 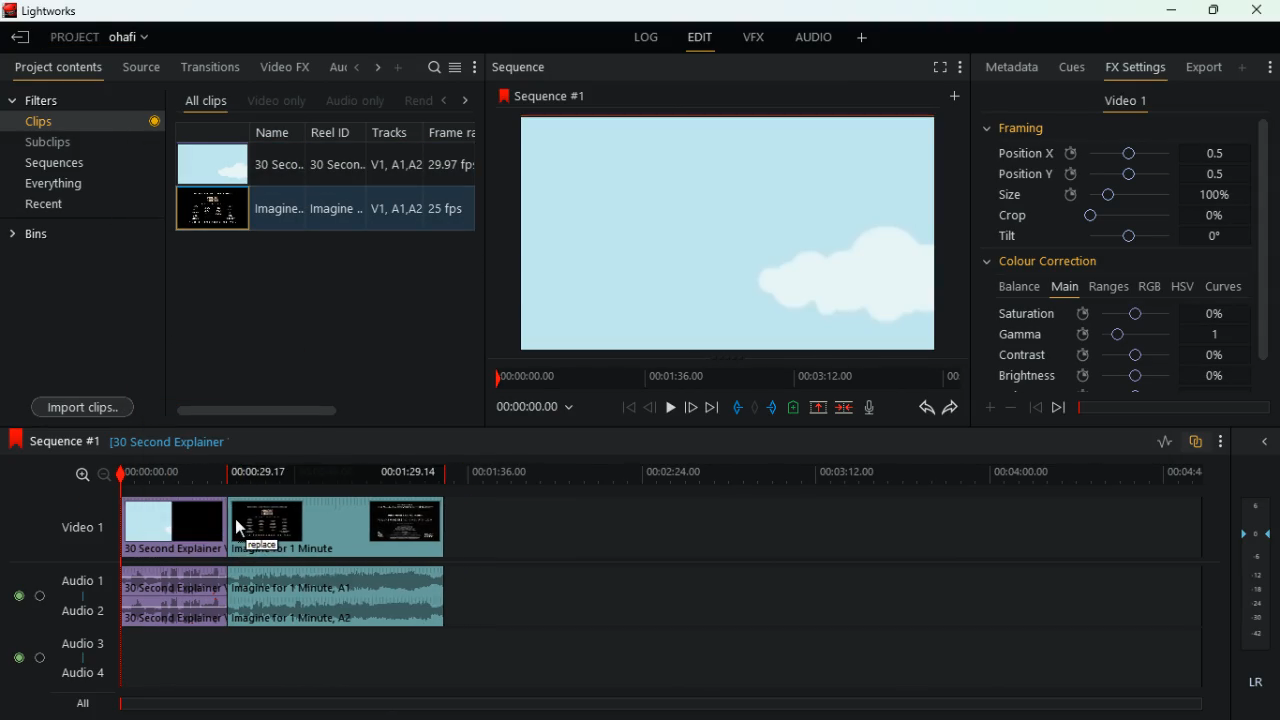 What do you see at coordinates (622, 407) in the screenshot?
I see `beggining` at bounding box center [622, 407].